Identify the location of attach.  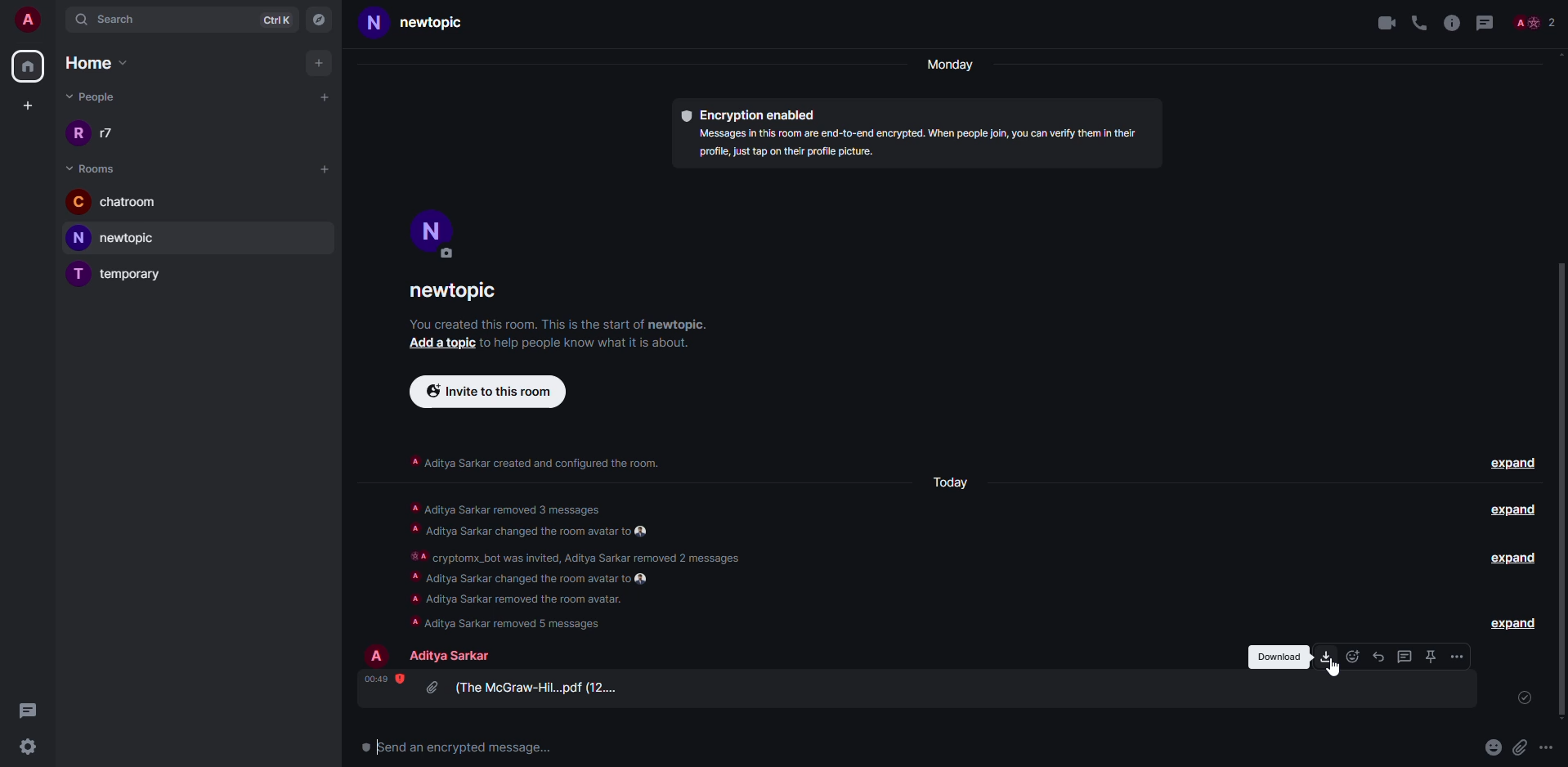
(1552, 747).